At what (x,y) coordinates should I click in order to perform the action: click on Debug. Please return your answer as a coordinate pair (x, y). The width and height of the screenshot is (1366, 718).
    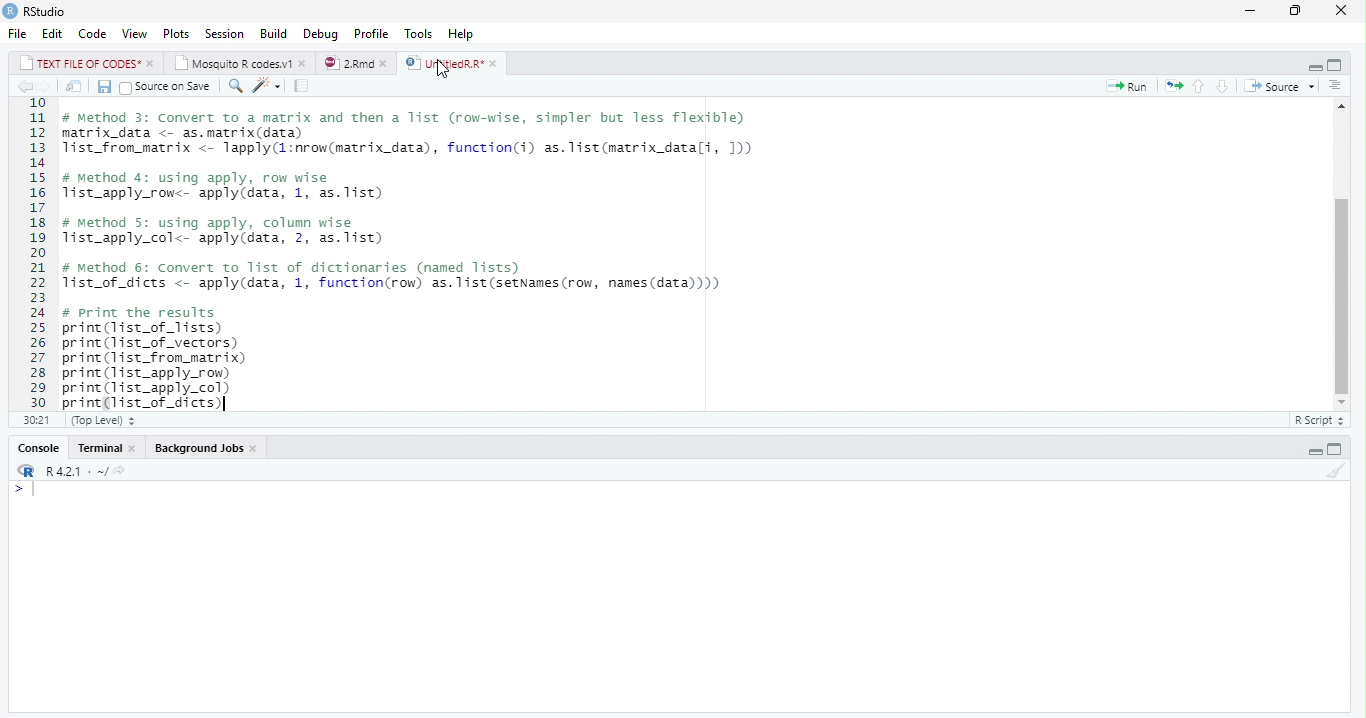
    Looking at the image, I should click on (321, 33).